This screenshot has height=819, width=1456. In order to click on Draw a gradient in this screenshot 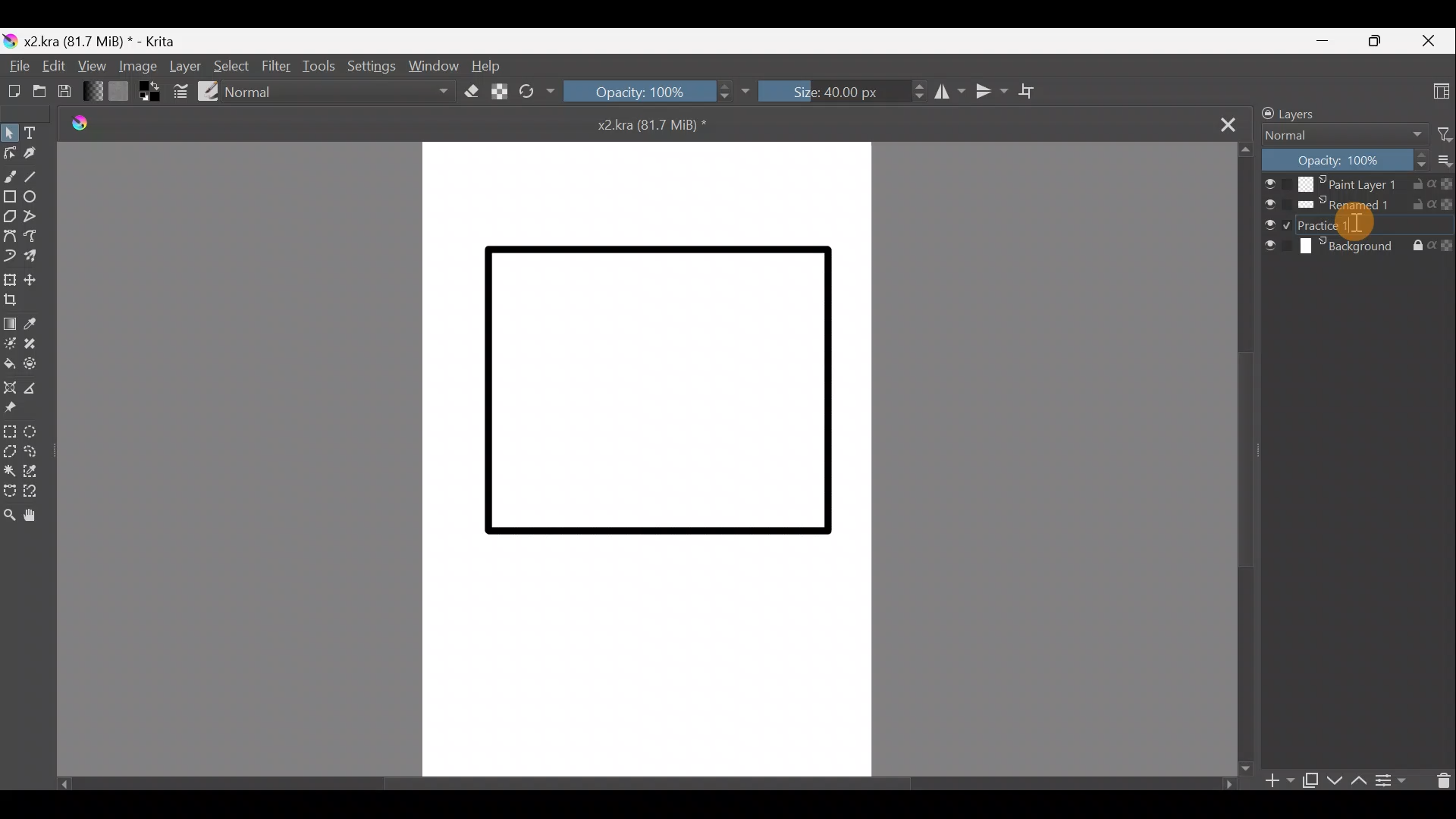, I will do `click(9, 325)`.